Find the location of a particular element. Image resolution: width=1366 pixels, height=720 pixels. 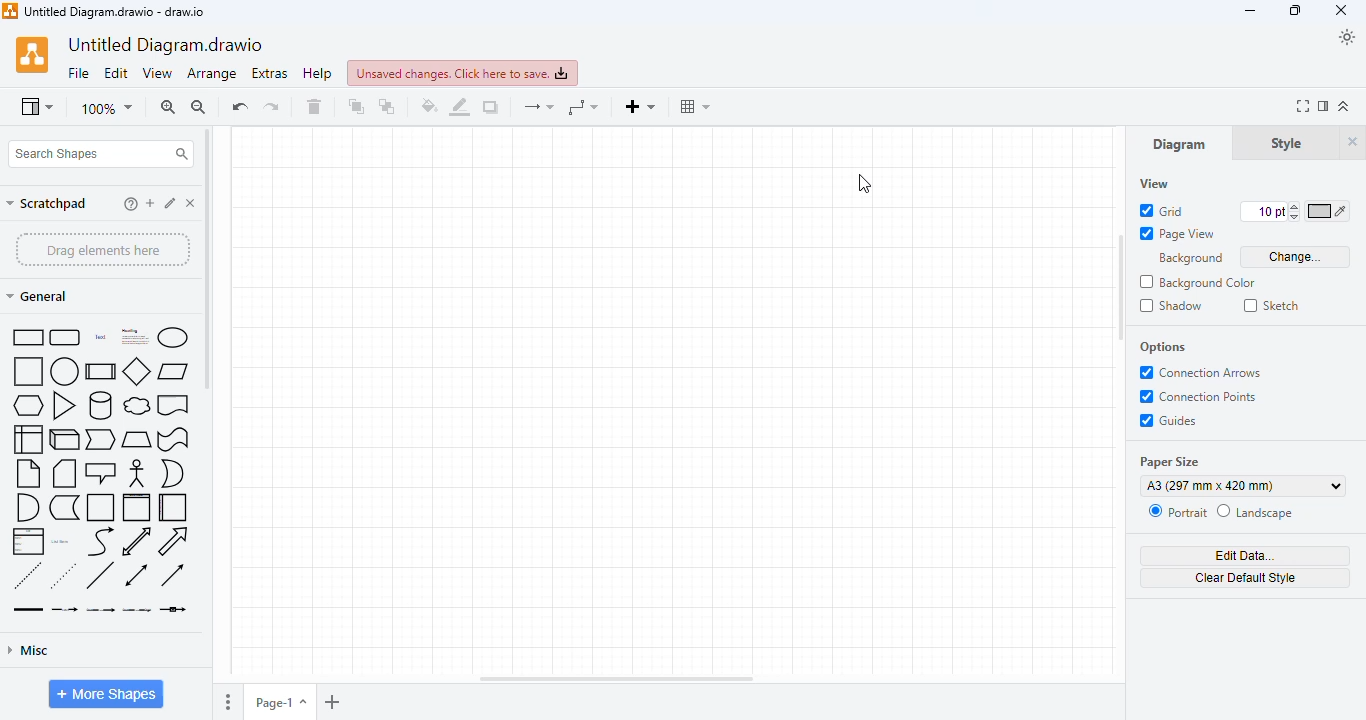

maximize is located at coordinates (1296, 11).